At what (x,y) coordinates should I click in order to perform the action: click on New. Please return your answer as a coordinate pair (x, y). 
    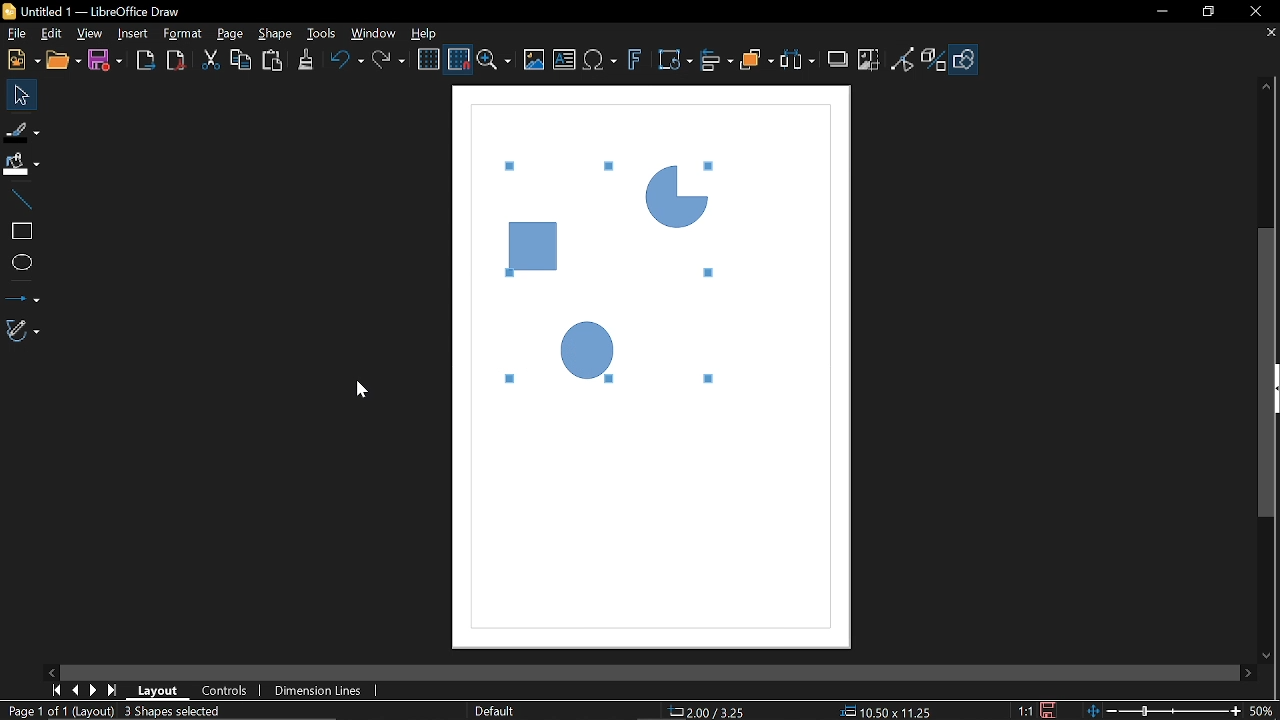
    Looking at the image, I should click on (20, 60).